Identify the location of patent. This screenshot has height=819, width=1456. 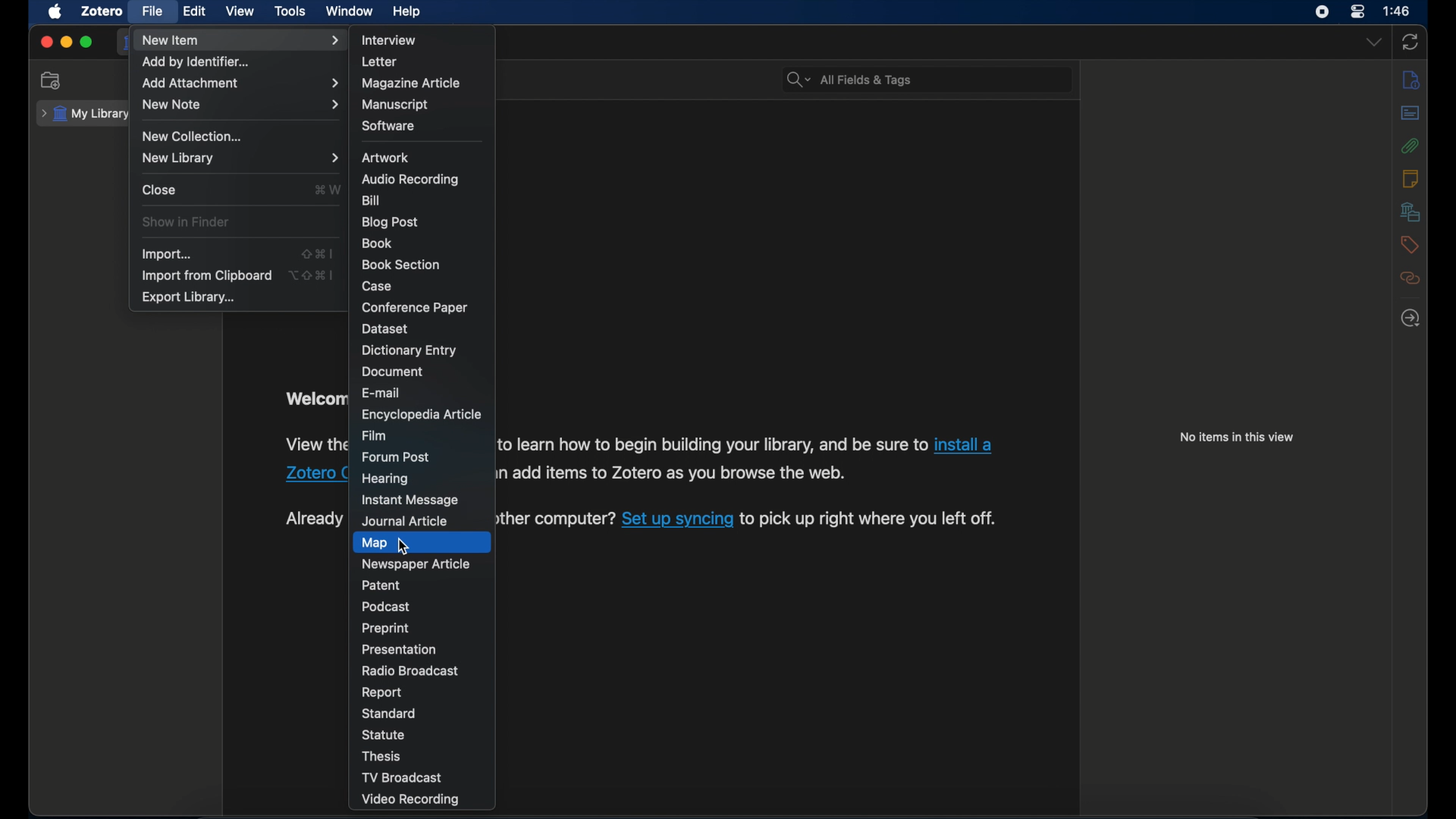
(382, 585).